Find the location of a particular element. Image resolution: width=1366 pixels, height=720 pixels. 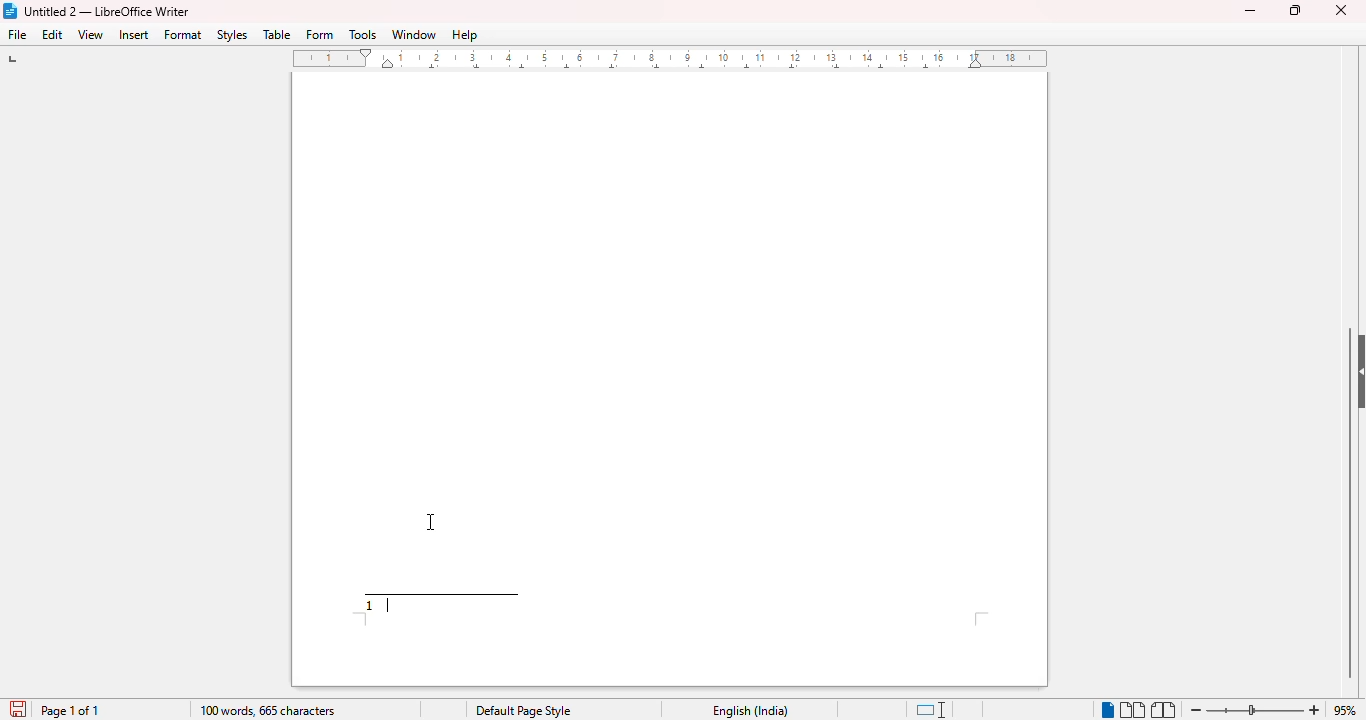

form is located at coordinates (320, 35).